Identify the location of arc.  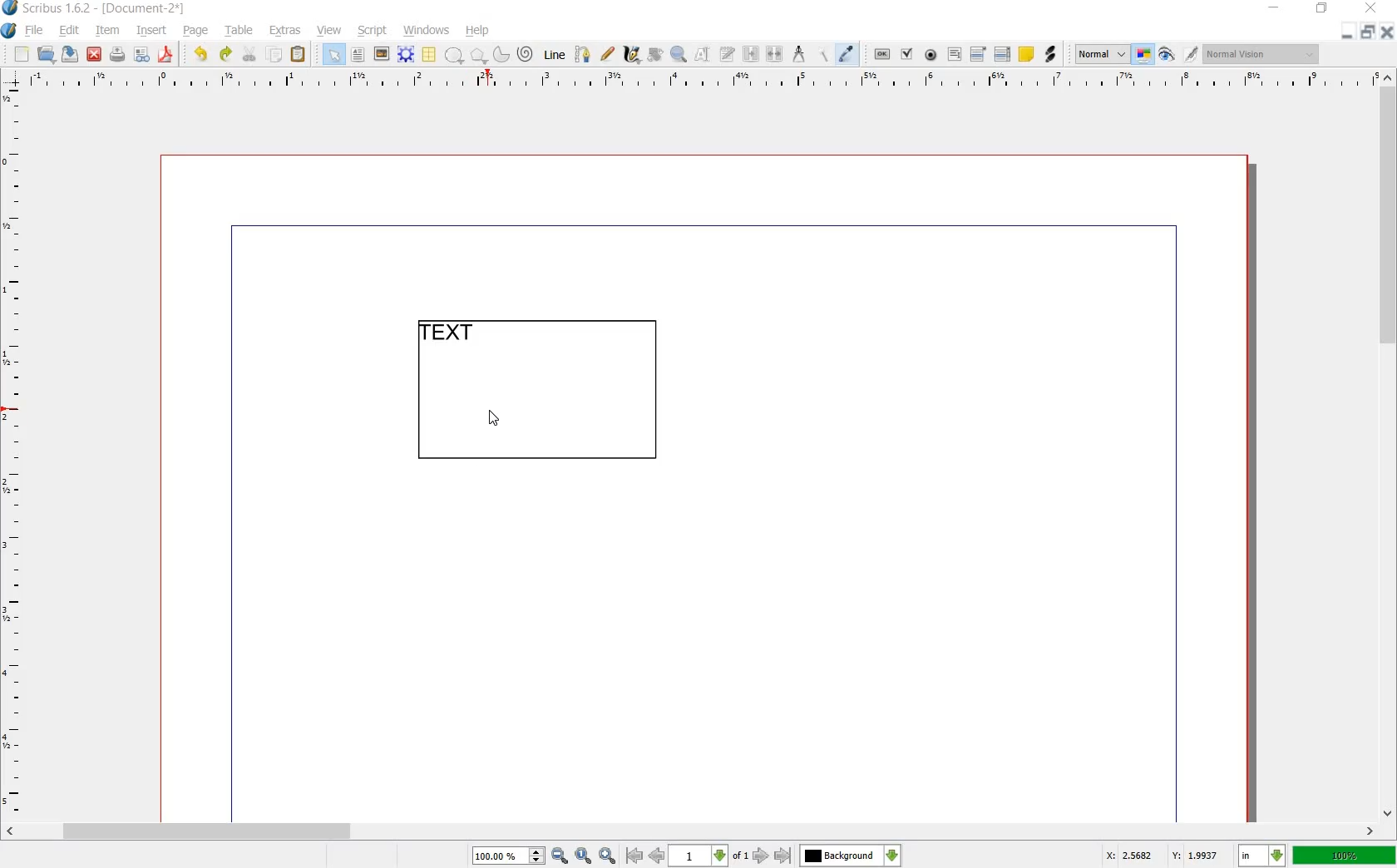
(500, 53).